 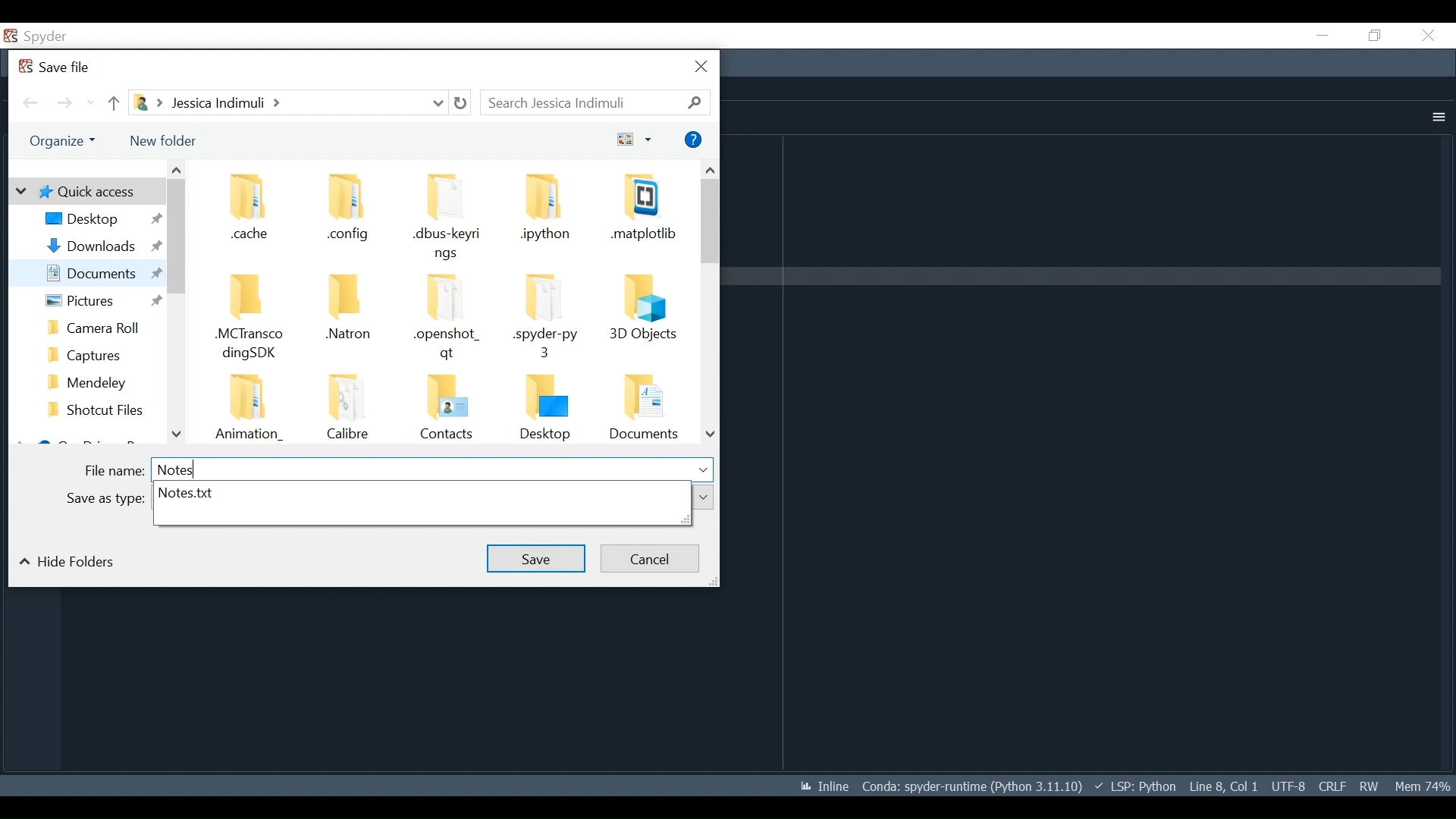 I want to click on File names Alternative search file names, so click(x=421, y=506).